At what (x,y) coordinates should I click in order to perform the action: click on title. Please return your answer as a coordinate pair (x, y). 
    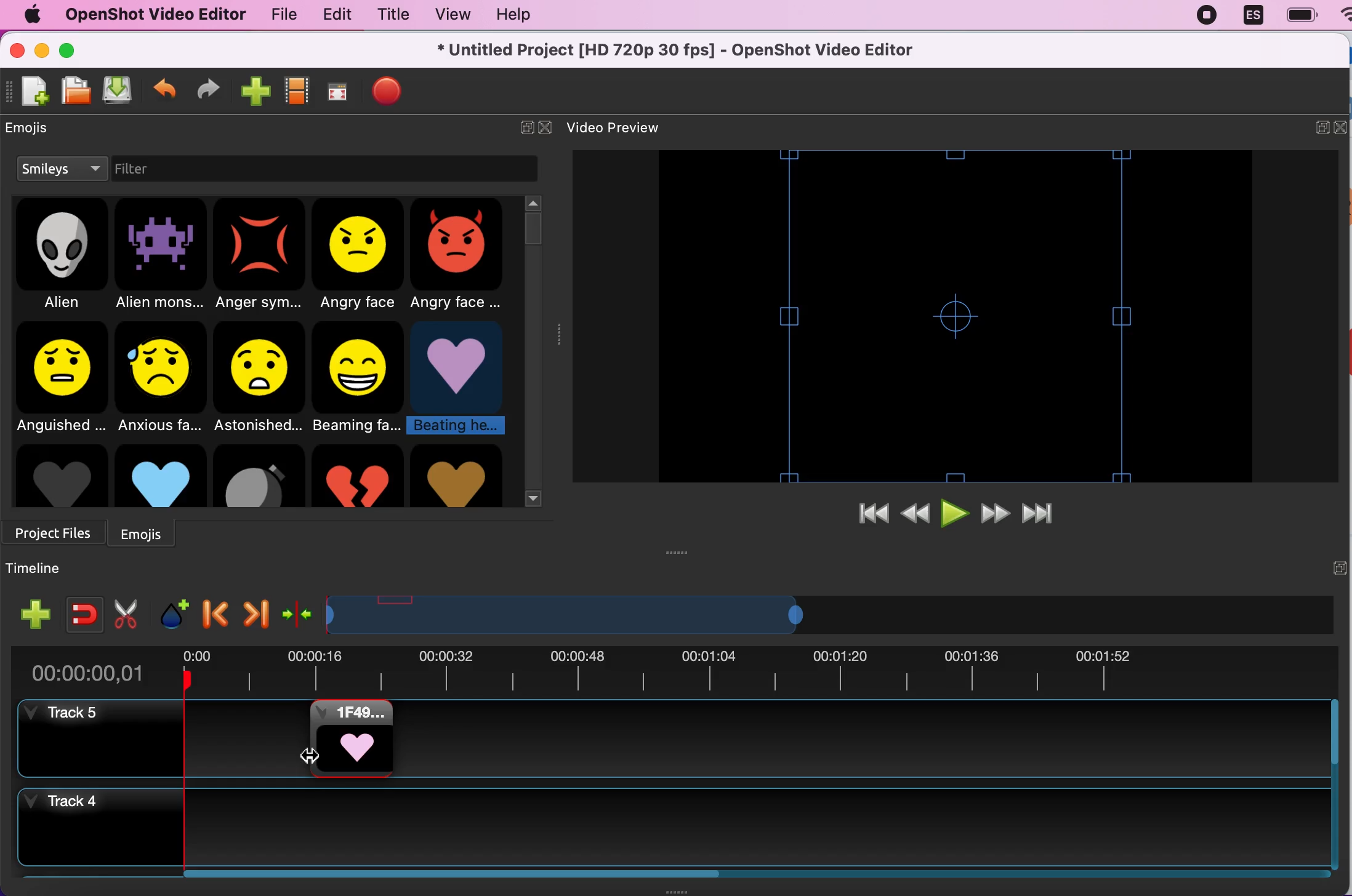
    Looking at the image, I should click on (388, 15).